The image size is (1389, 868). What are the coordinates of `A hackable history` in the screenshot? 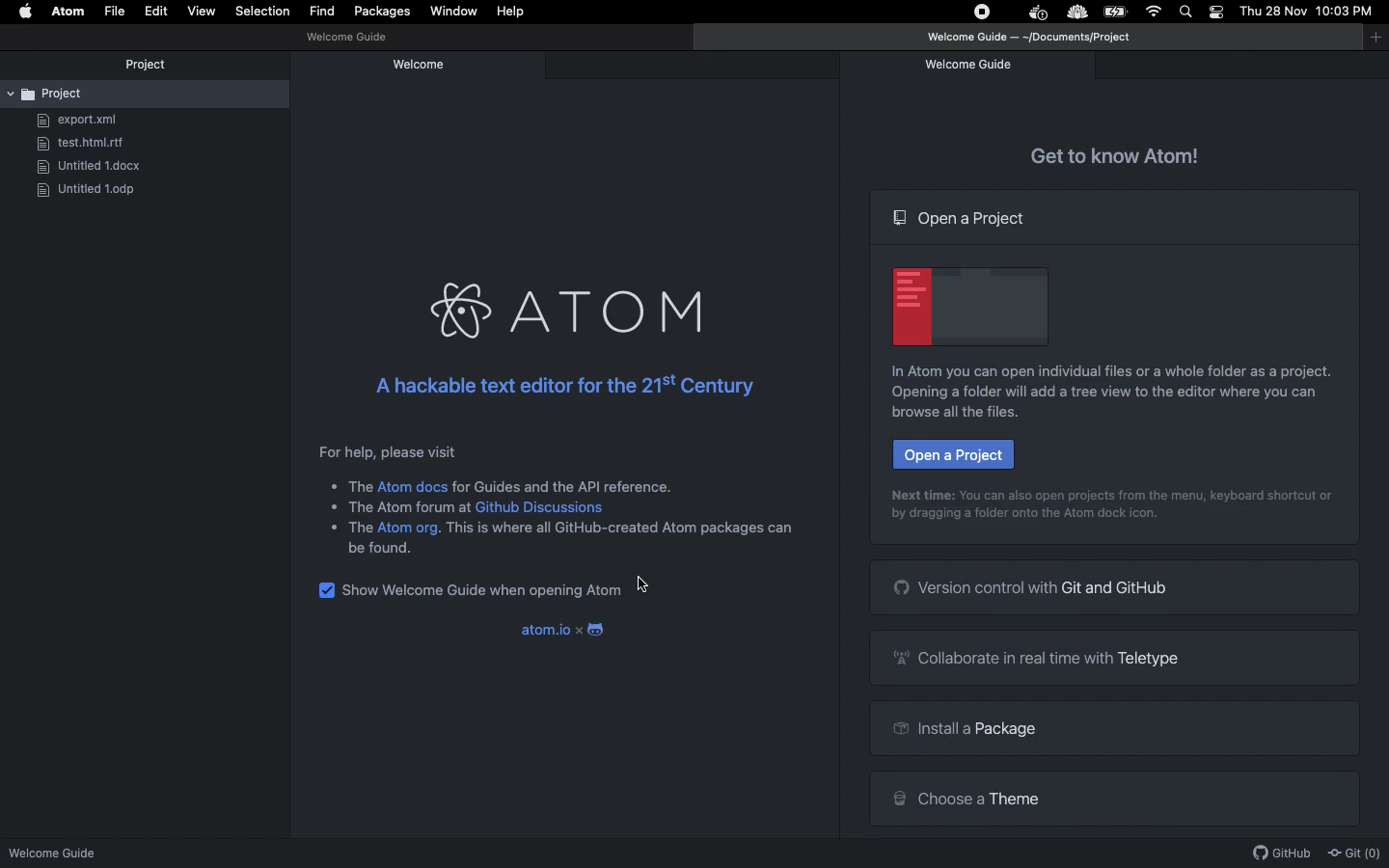 It's located at (558, 383).